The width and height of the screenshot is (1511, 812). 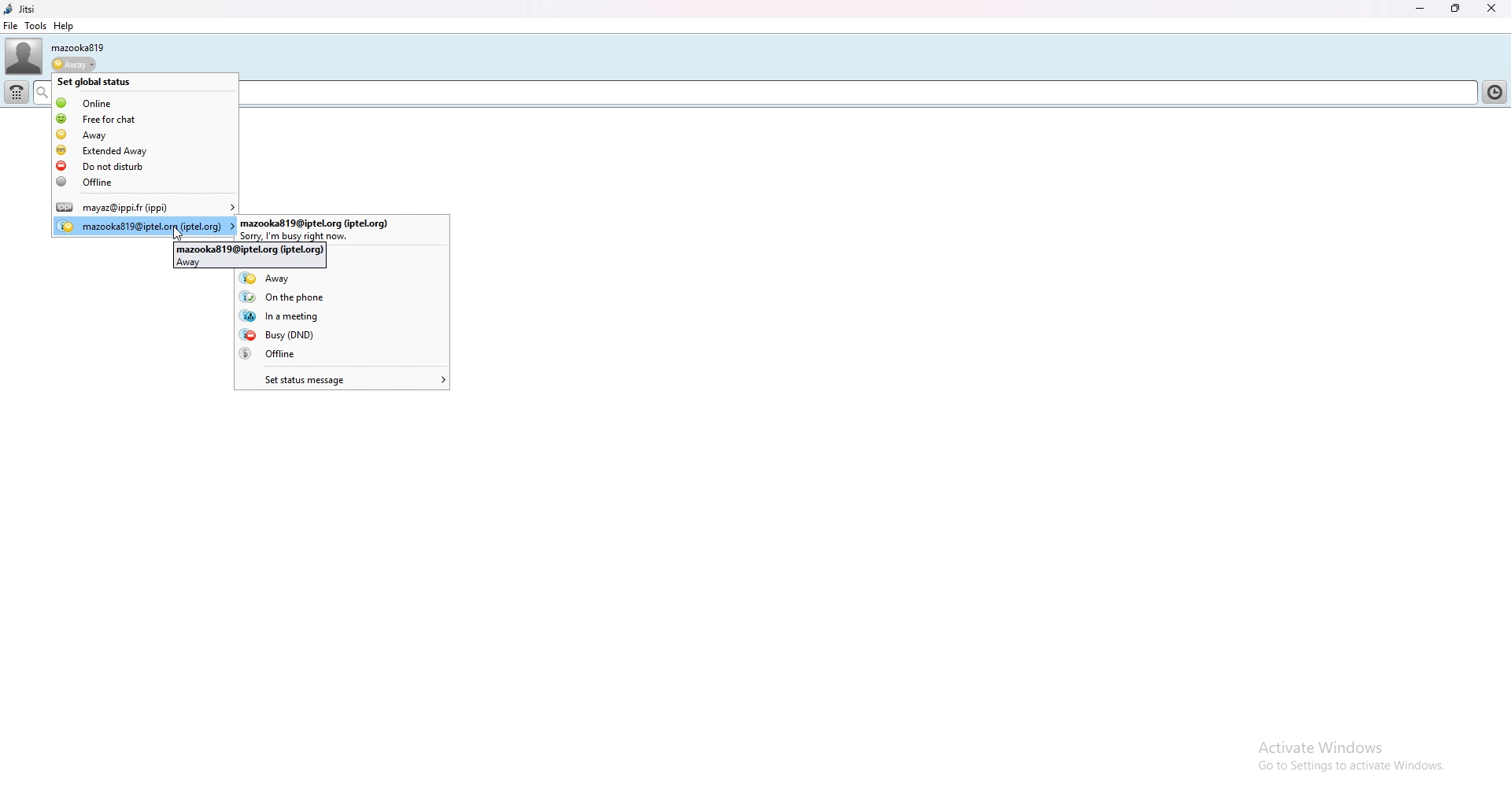 I want to click on in a meeting, so click(x=342, y=316).